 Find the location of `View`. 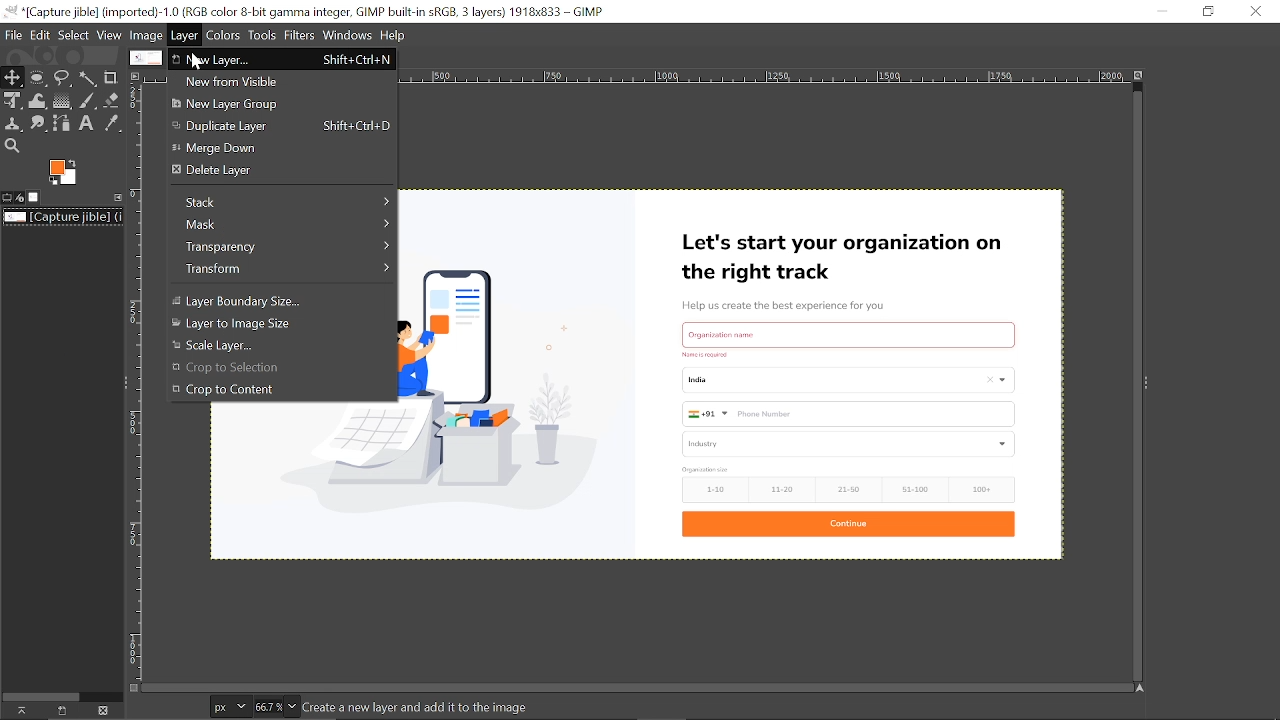

View is located at coordinates (110, 34).